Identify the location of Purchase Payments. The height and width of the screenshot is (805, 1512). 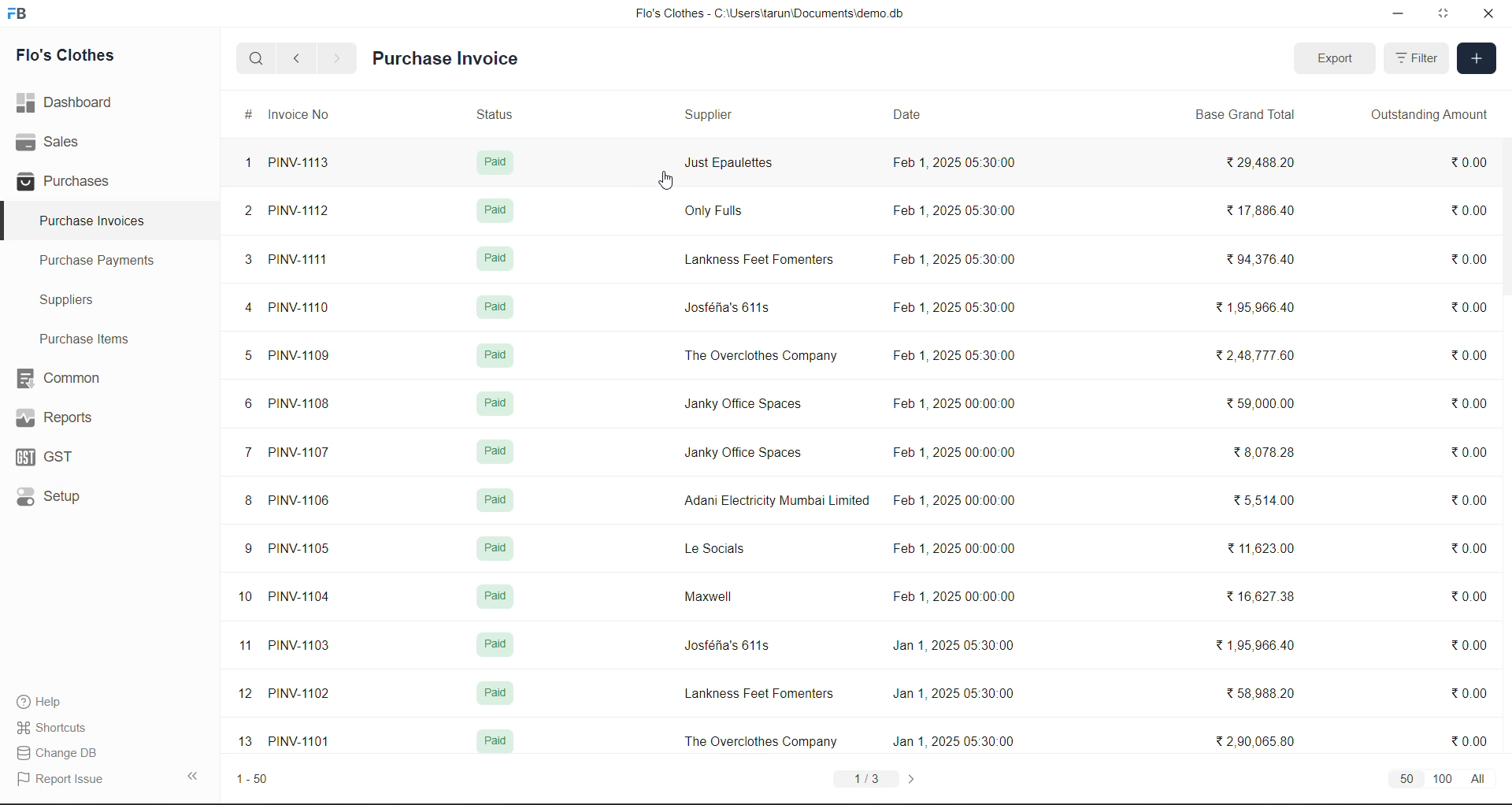
(103, 261).